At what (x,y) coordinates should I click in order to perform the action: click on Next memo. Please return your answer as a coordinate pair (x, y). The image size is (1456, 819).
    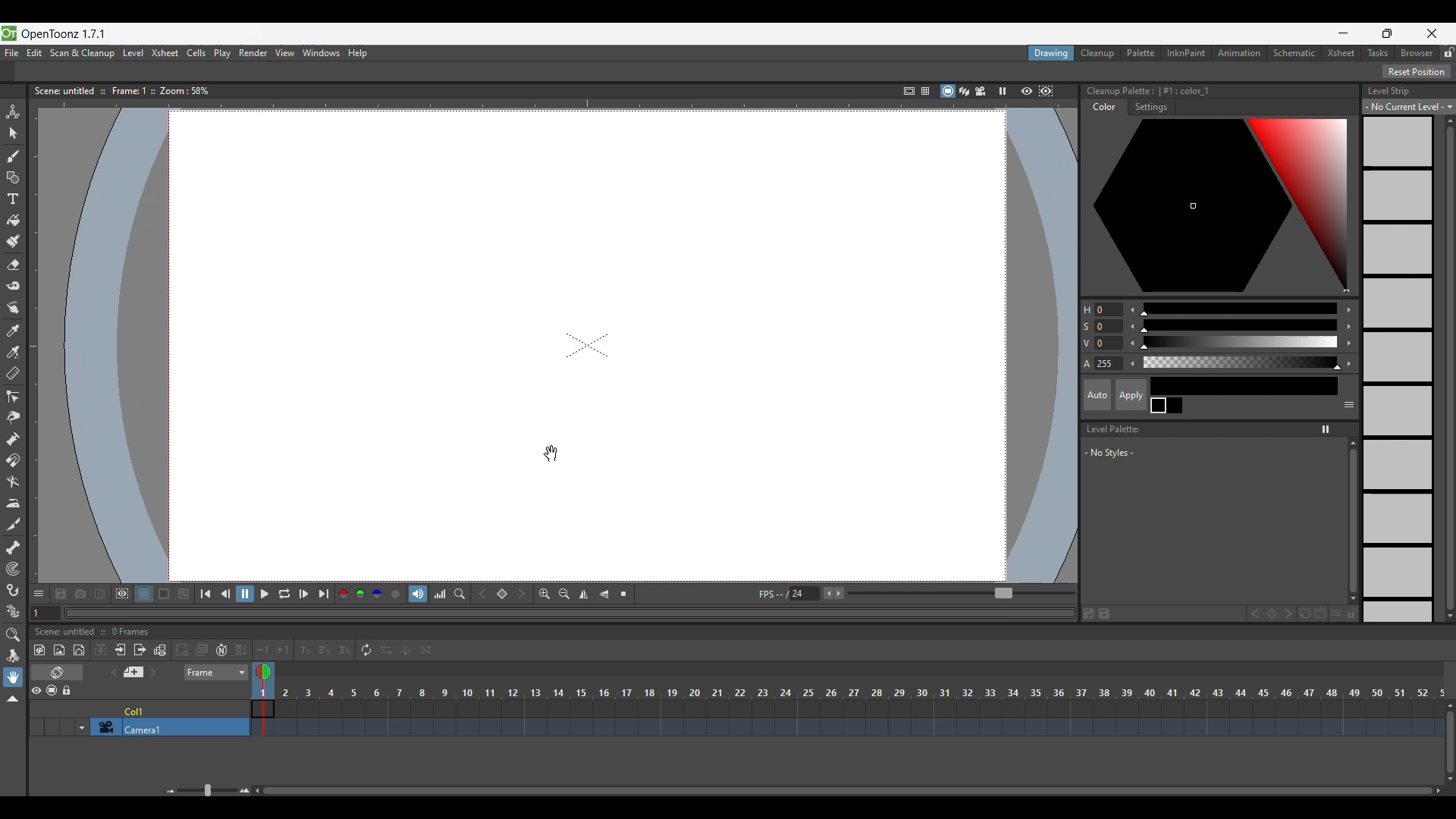
    Looking at the image, I should click on (152, 673).